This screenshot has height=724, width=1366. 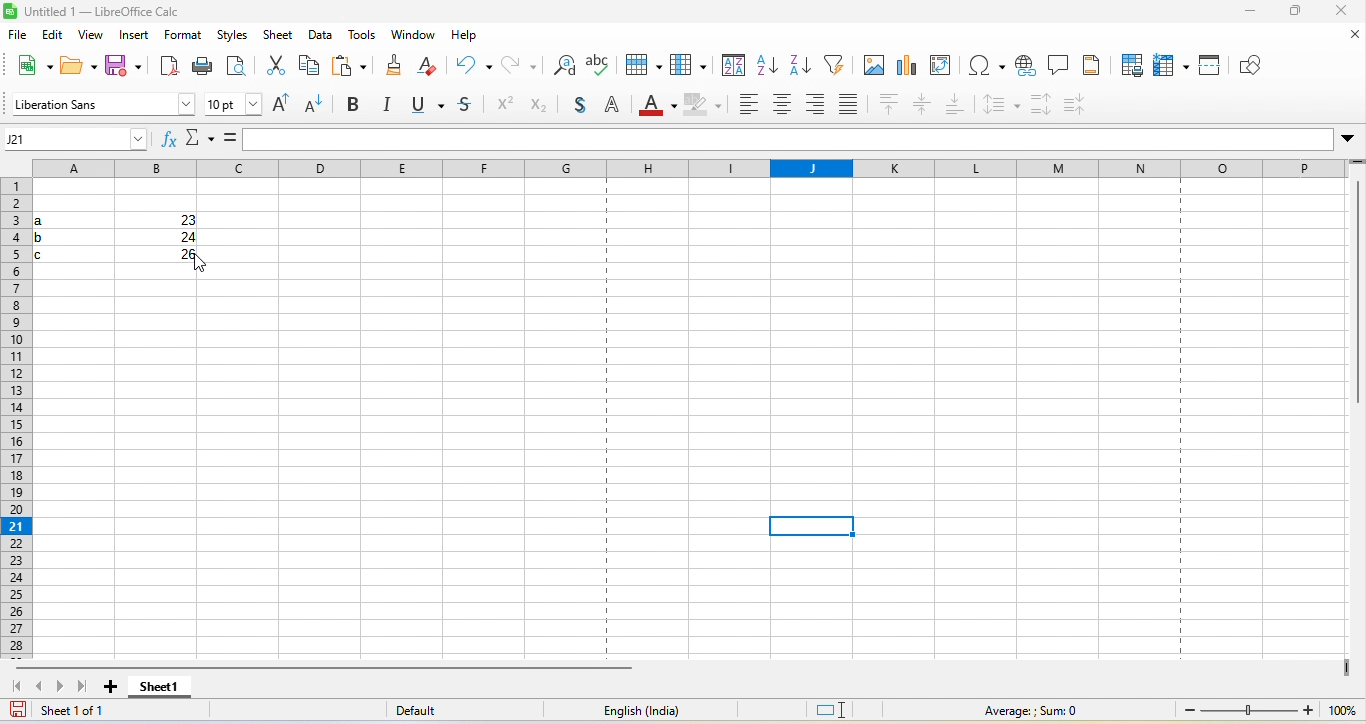 I want to click on sheet, so click(x=275, y=36).